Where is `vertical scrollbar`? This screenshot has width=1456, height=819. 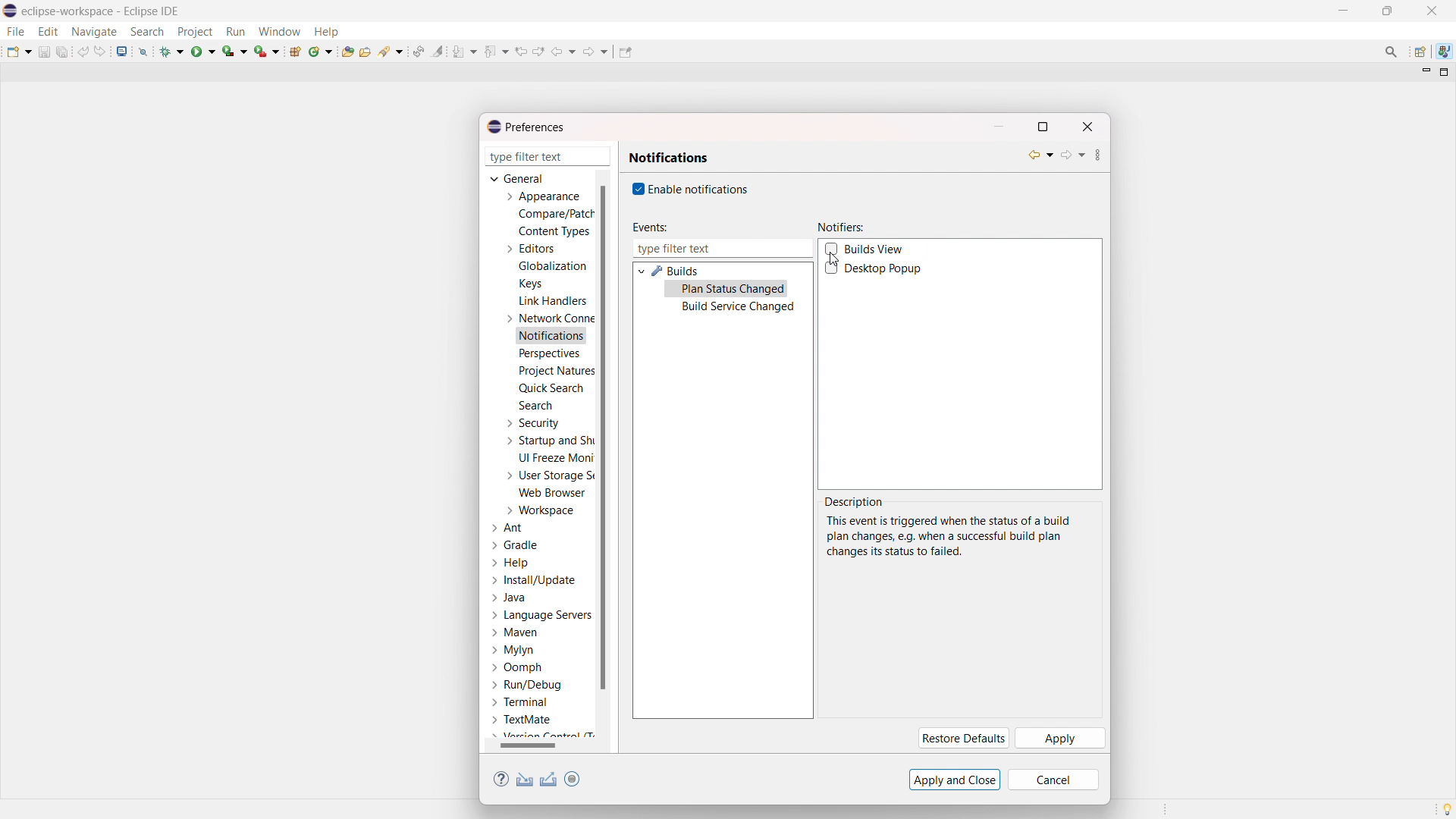 vertical scrollbar is located at coordinates (602, 436).